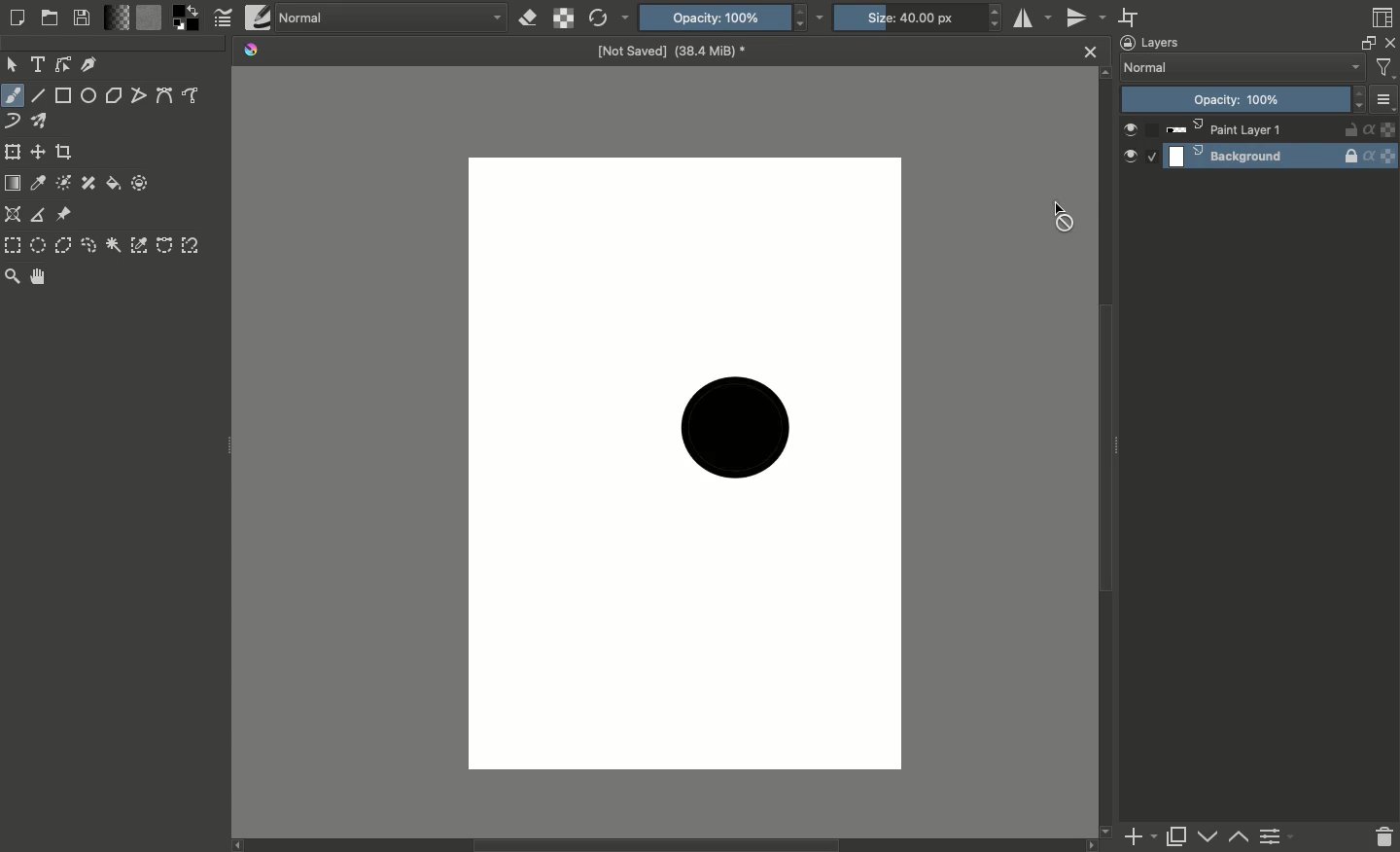 Image resolution: width=1400 pixels, height=852 pixels. What do you see at coordinates (17, 19) in the screenshot?
I see `Create` at bounding box center [17, 19].